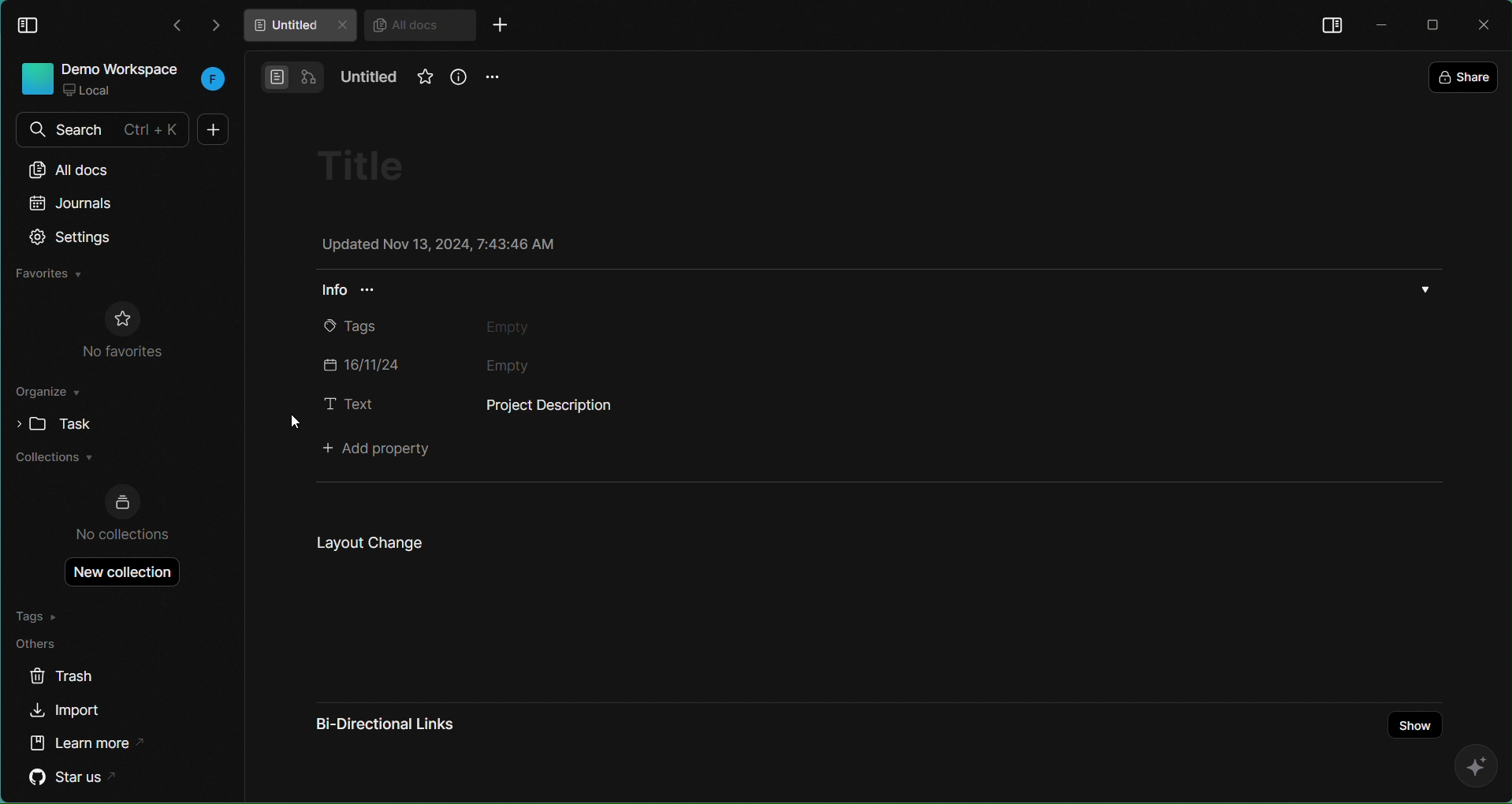 The height and width of the screenshot is (804, 1512). I want to click on no collections, so click(124, 513).